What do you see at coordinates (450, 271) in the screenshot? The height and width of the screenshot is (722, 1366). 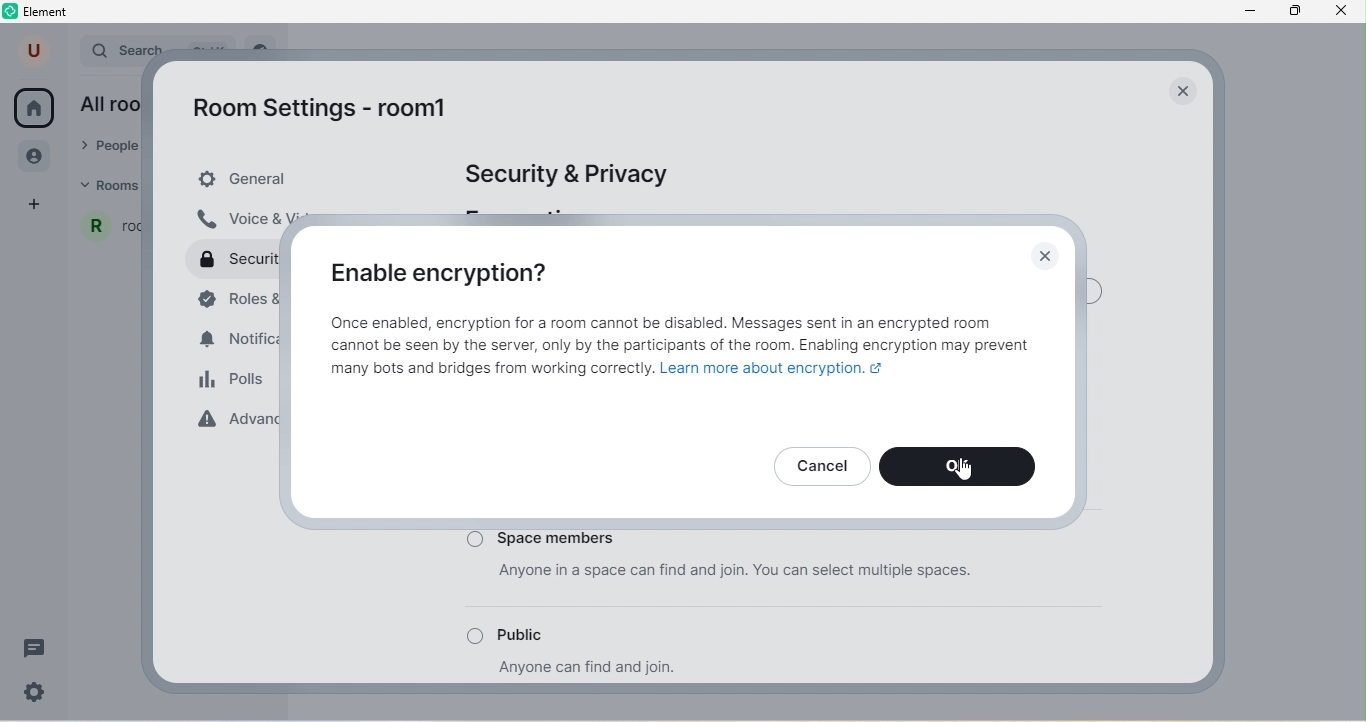 I see `enable encryption?` at bounding box center [450, 271].